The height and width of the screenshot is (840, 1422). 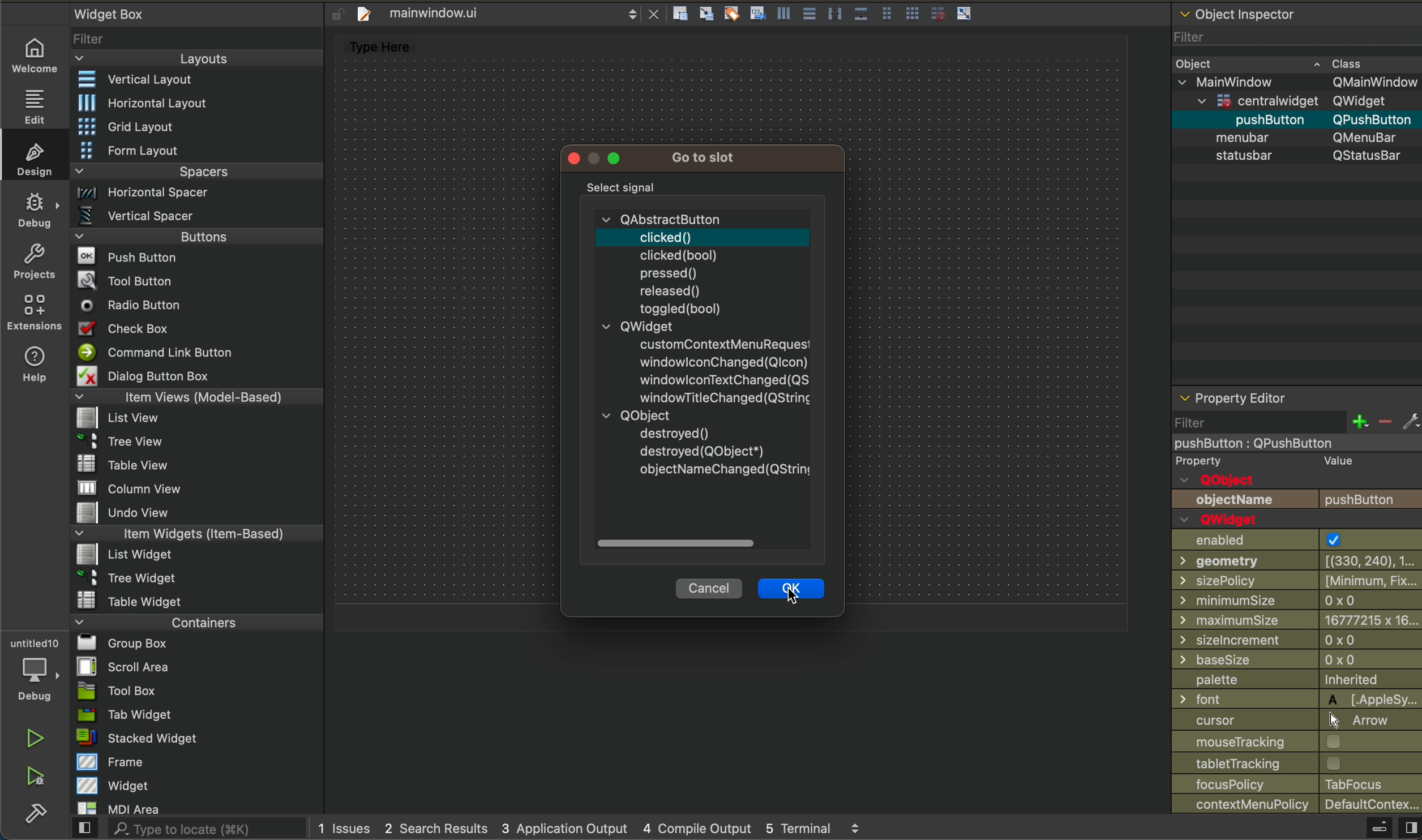 What do you see at coordinates (680, 308) in the screenshot?
I see `toggled(bool)` at bounding box center [680, 308].